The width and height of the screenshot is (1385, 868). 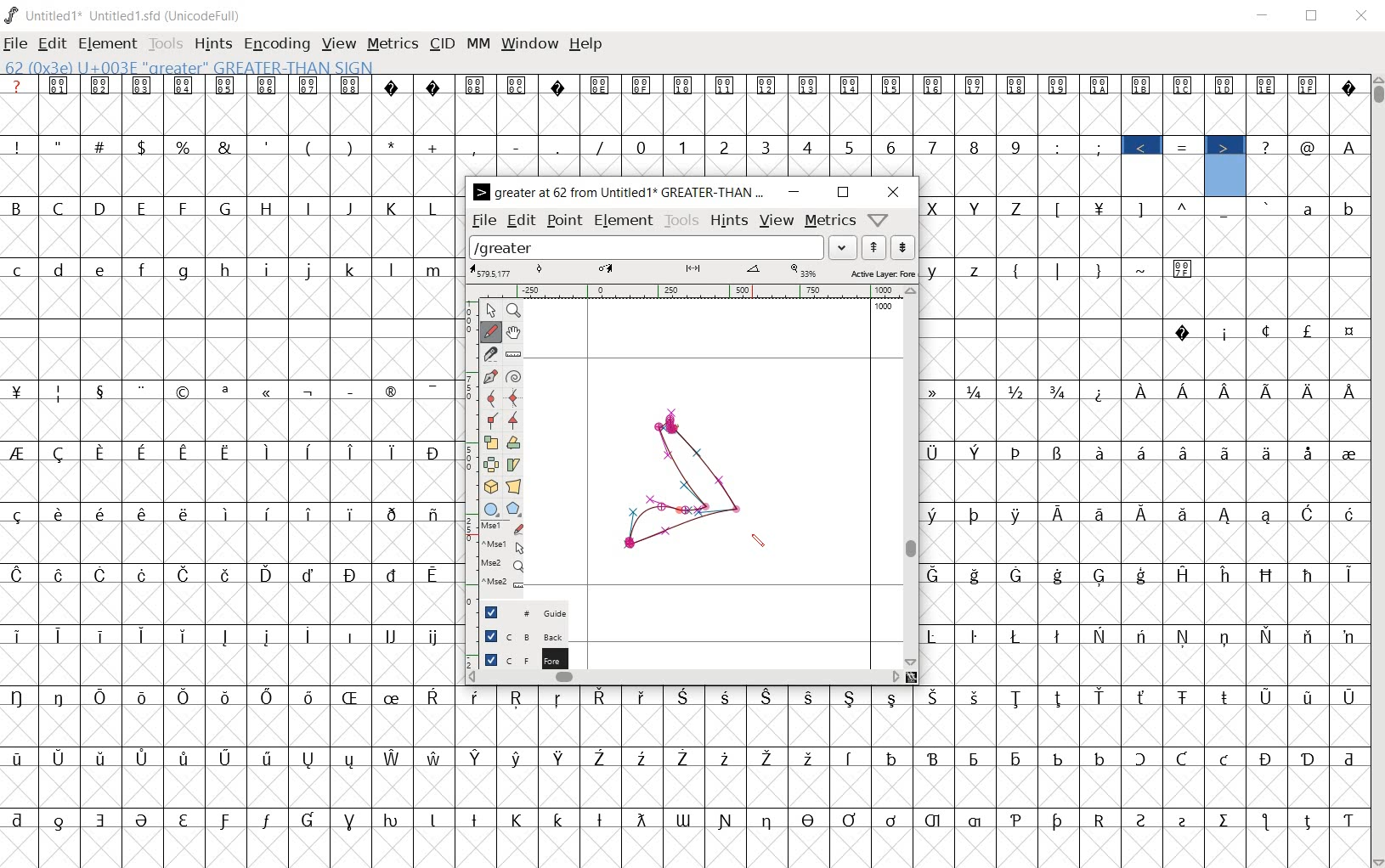 What do you see at coordinates (792, 192) in the screenshot?
I see `minimize` at bounding box center [792, 192].